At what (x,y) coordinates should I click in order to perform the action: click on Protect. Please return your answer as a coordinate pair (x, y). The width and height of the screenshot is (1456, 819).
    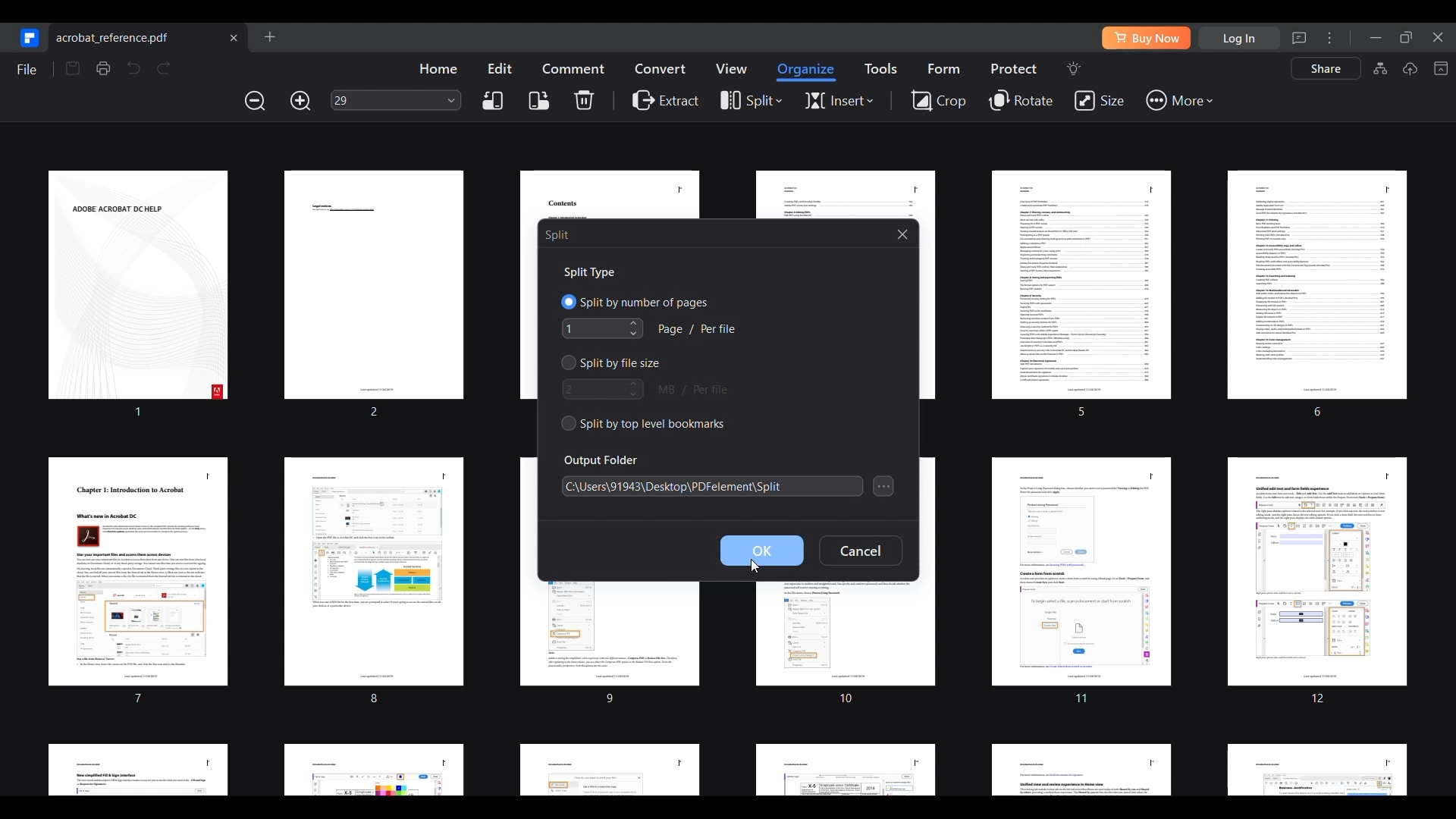
    Looking at the image, I should click on (1013, 68).